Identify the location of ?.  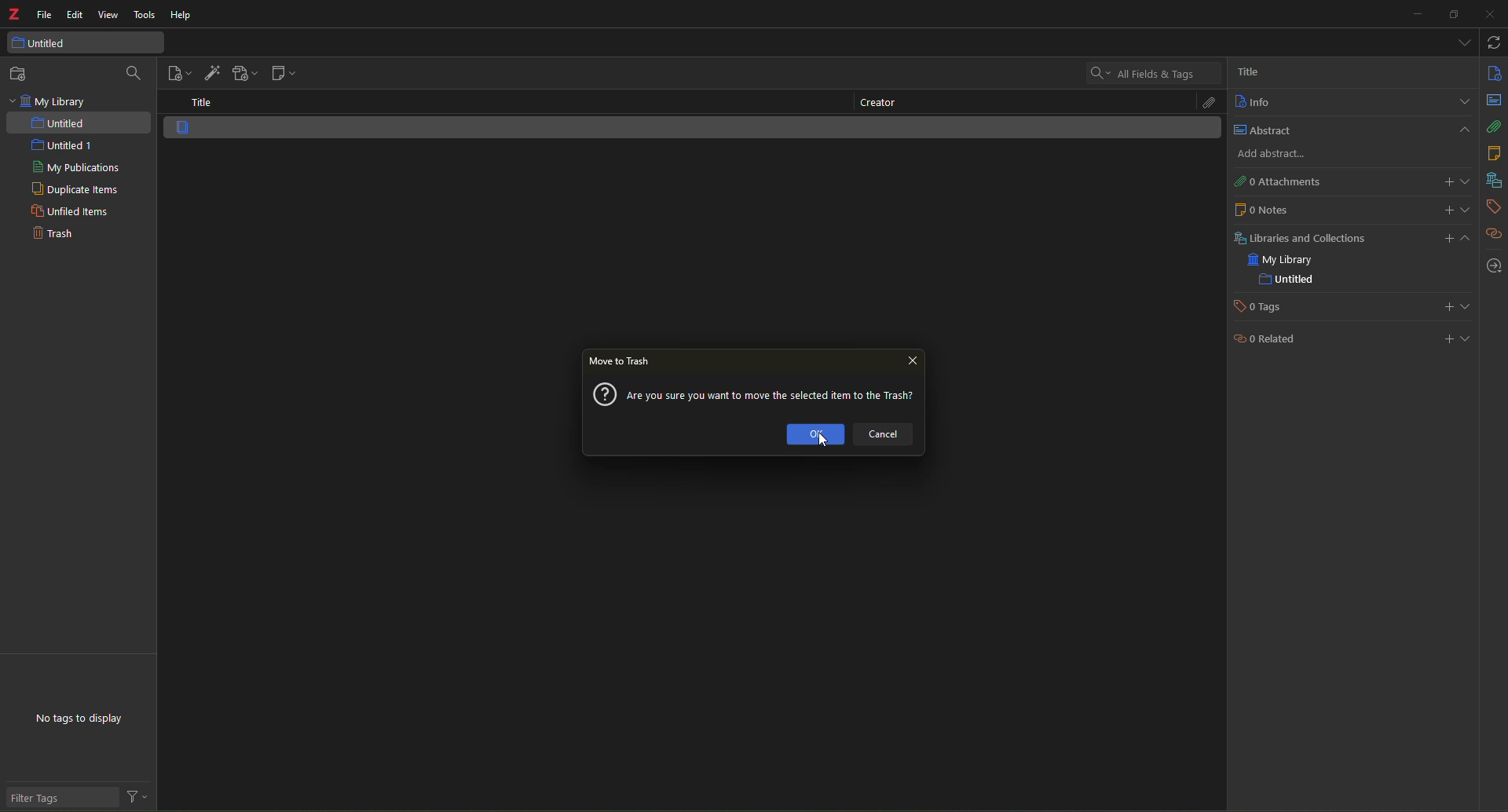
(606, 397).